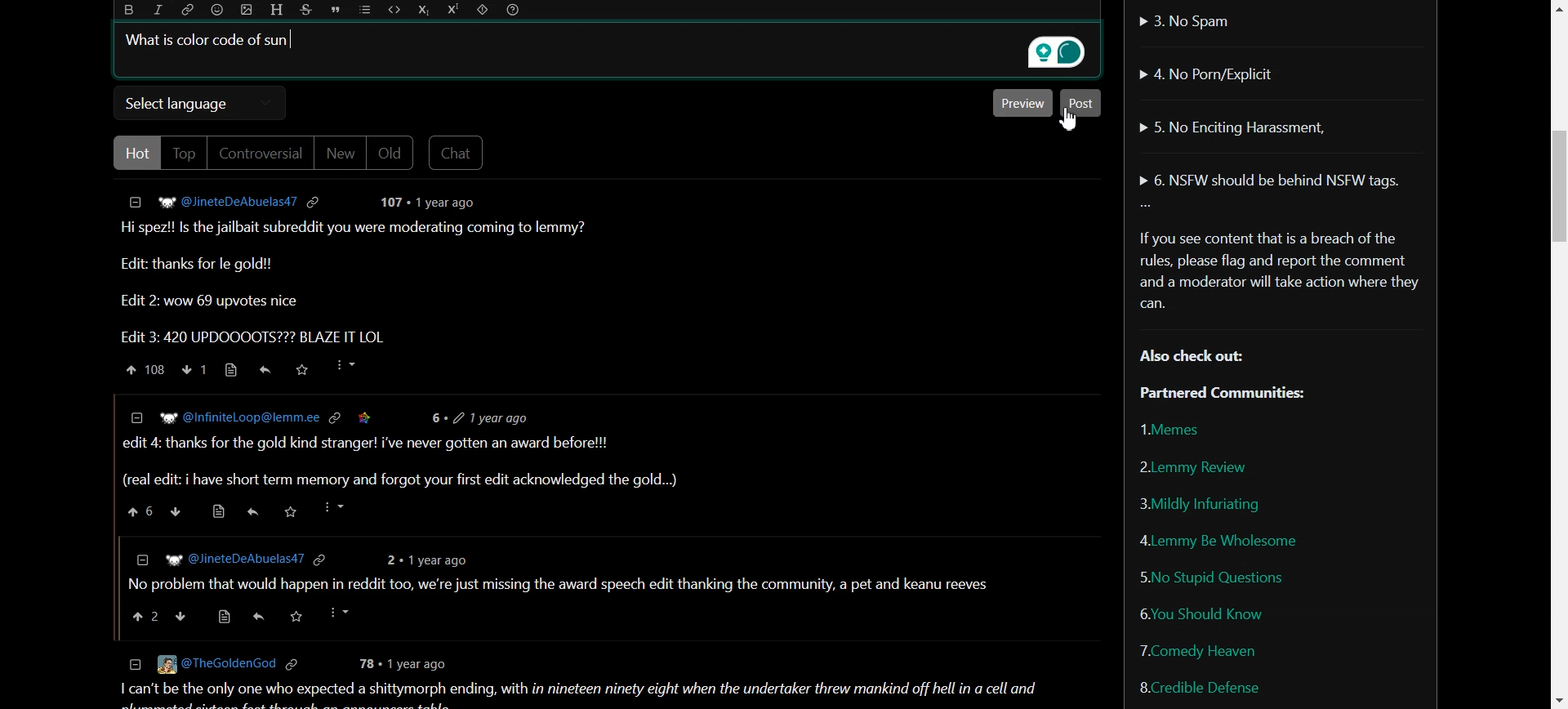 The image size is (1568, 709). I want to click on W? @InfiniteLoop@lemm.ee, so click(254, 416).